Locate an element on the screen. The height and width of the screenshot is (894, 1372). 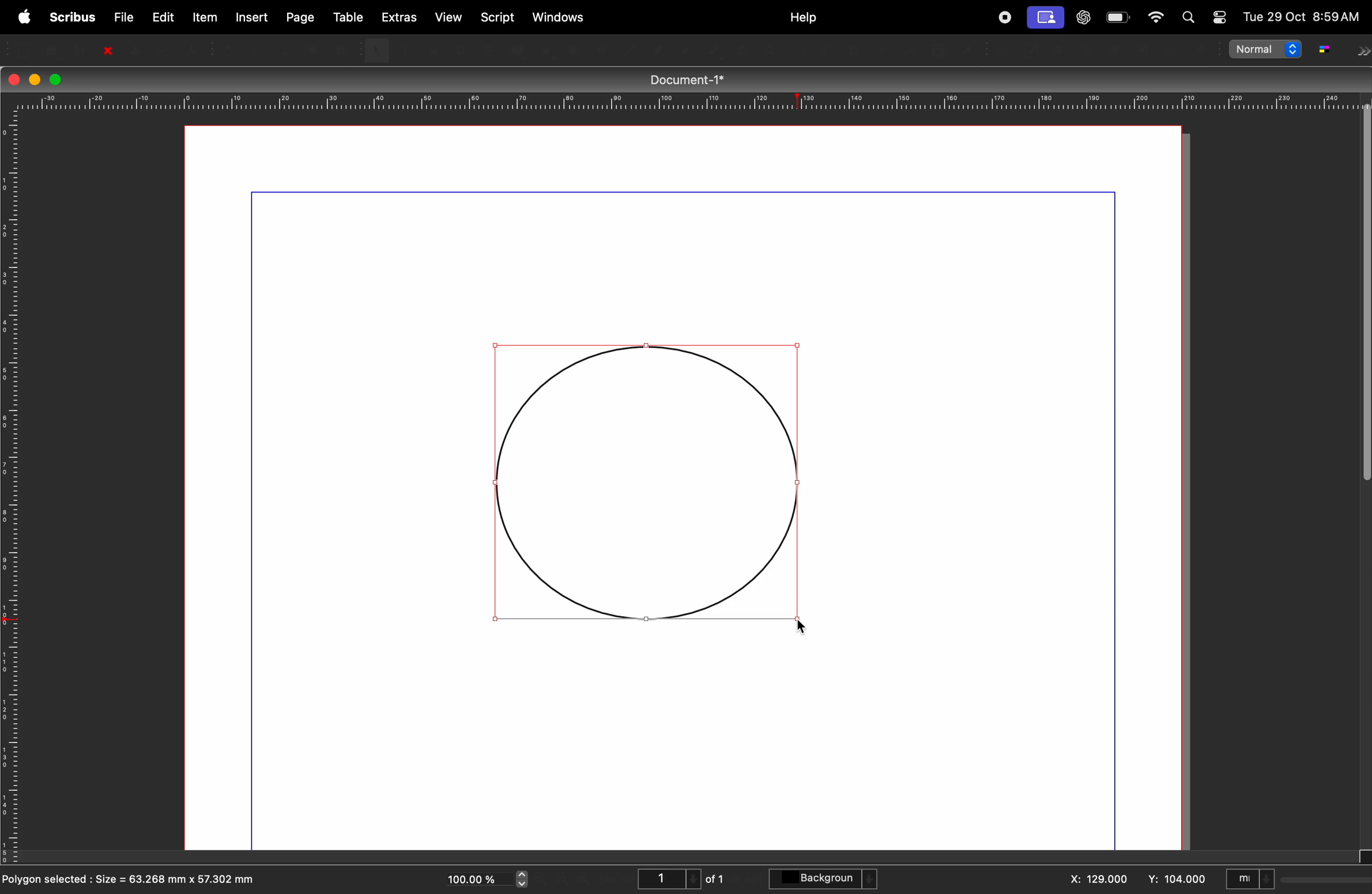
Edit contents of frame is located at coordinates (797, 51).